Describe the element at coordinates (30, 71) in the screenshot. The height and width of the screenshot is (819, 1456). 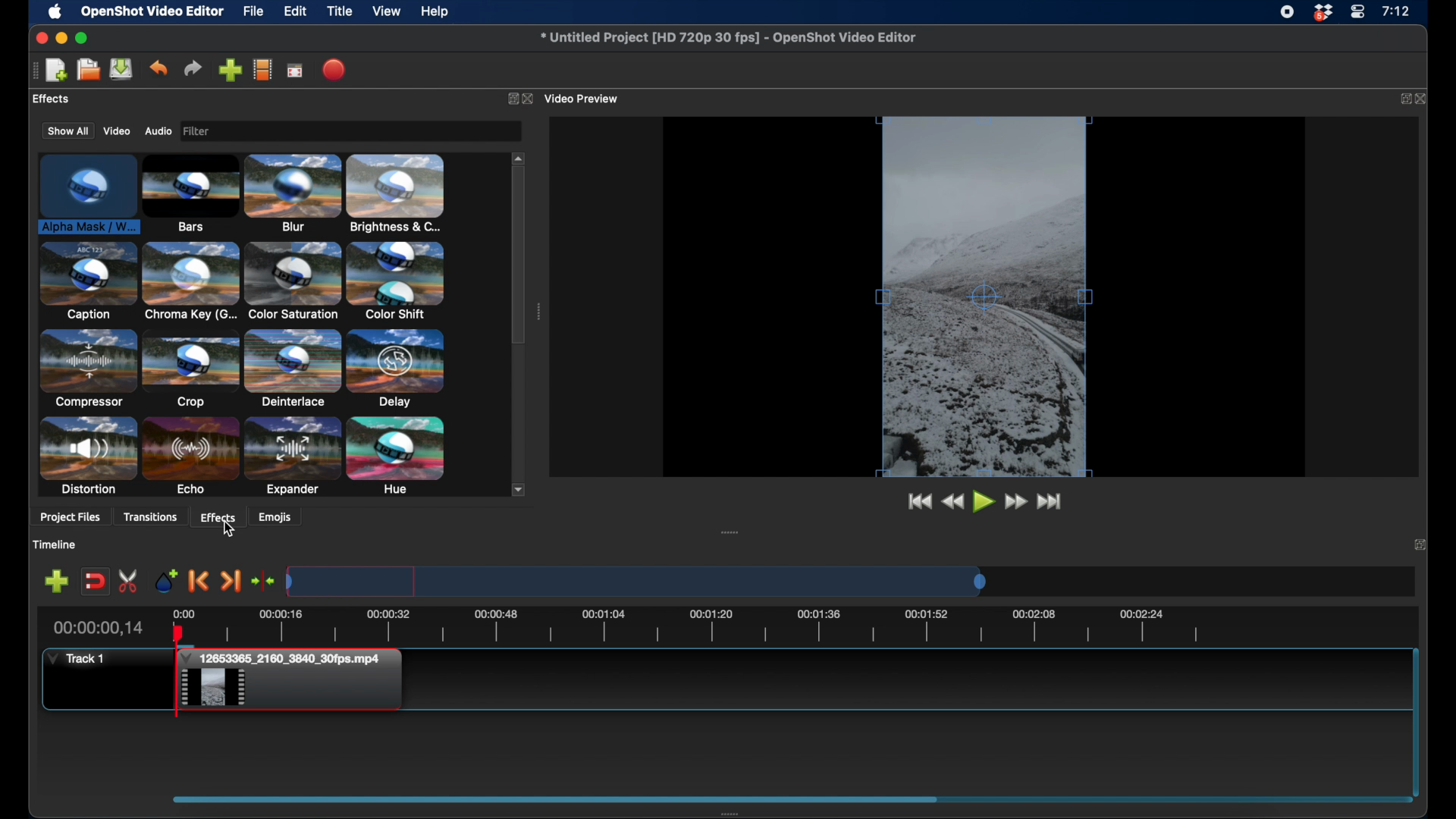
I see `drag handle` at that location.